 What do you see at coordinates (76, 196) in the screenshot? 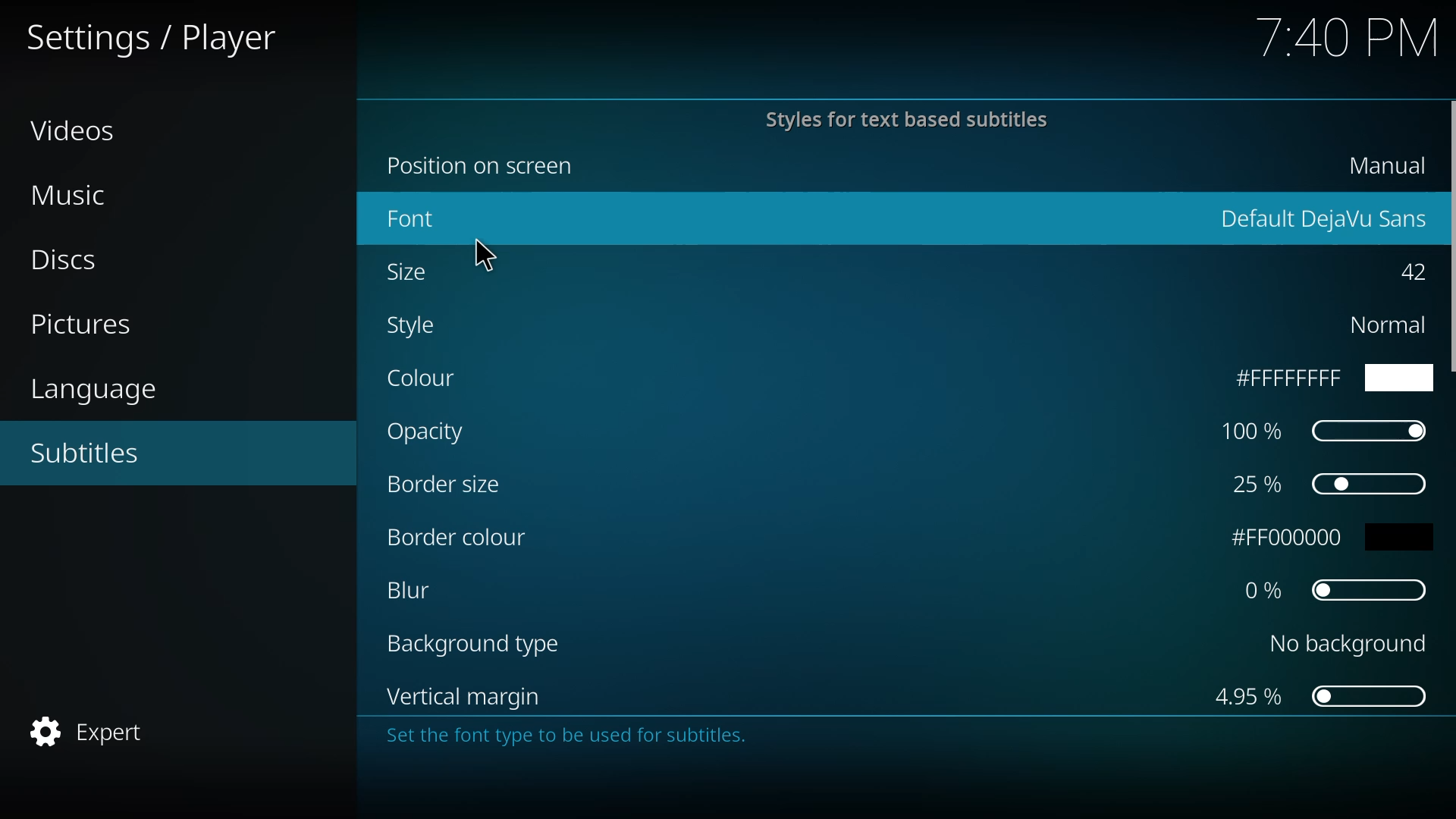
I see `music` at bounding box center [76, 196].